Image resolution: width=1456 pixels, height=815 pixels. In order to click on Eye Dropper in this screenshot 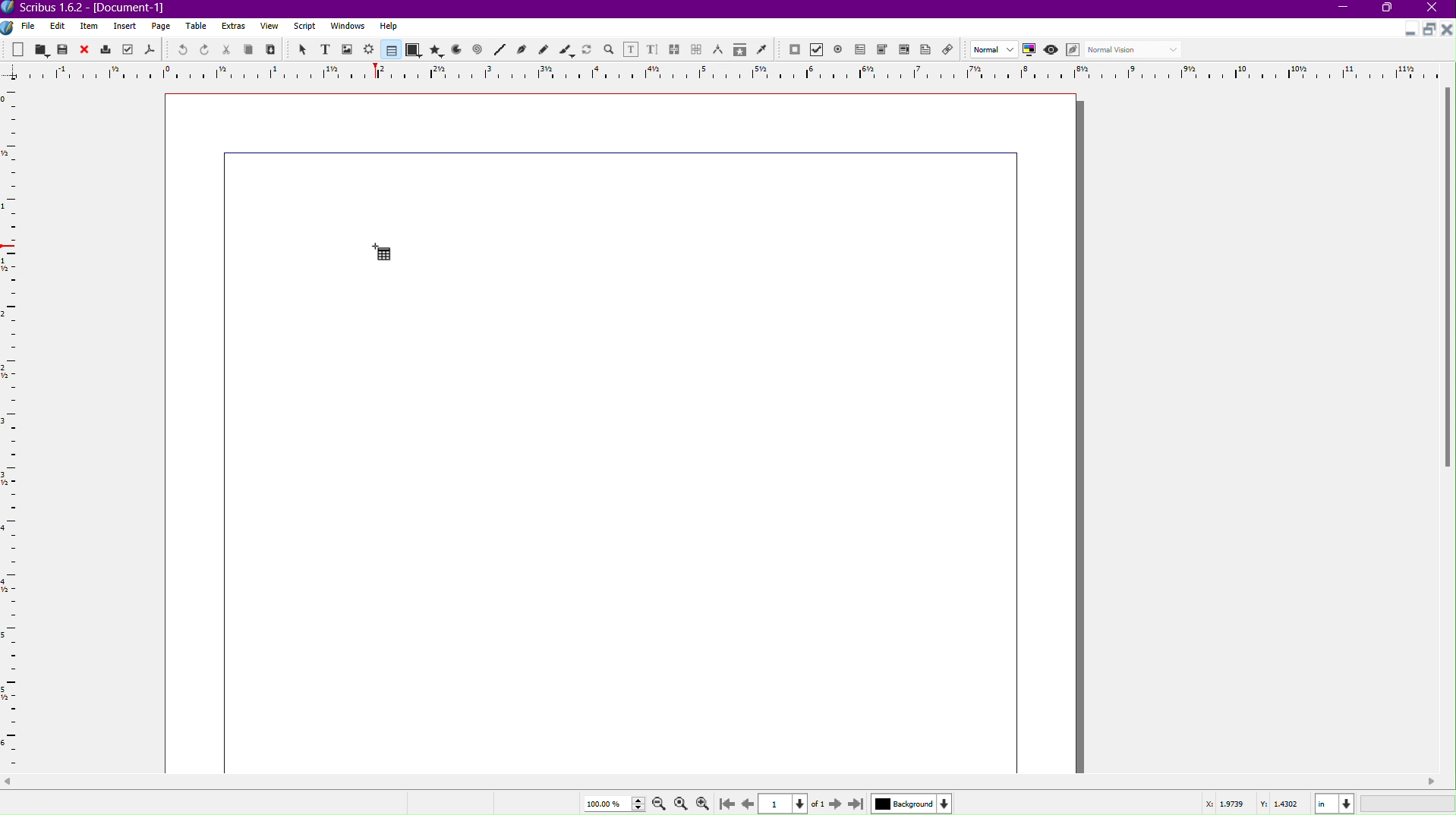, I will do `click(761, 49)`.